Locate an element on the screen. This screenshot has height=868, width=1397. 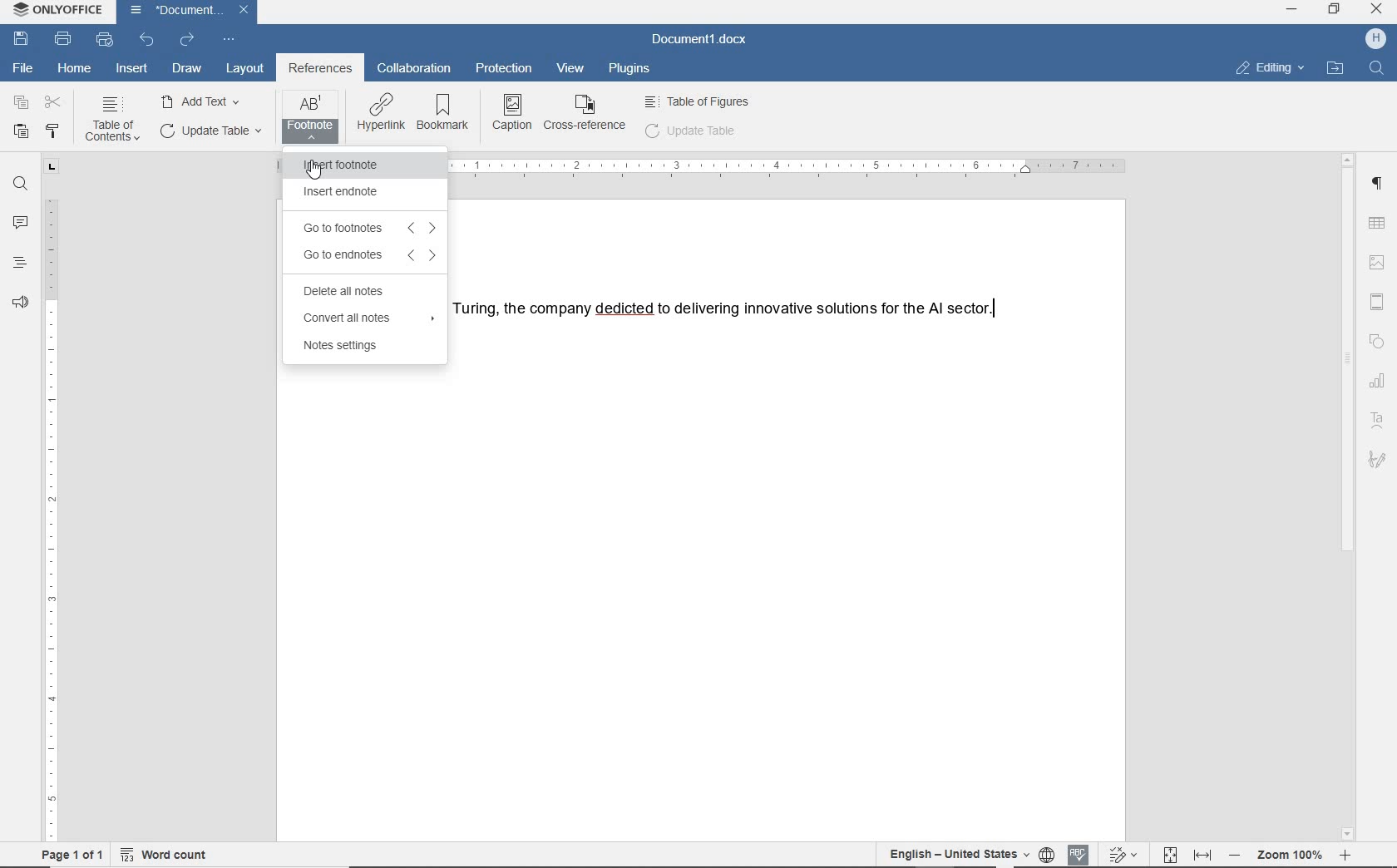
insert is located at coordinates (133, 70).